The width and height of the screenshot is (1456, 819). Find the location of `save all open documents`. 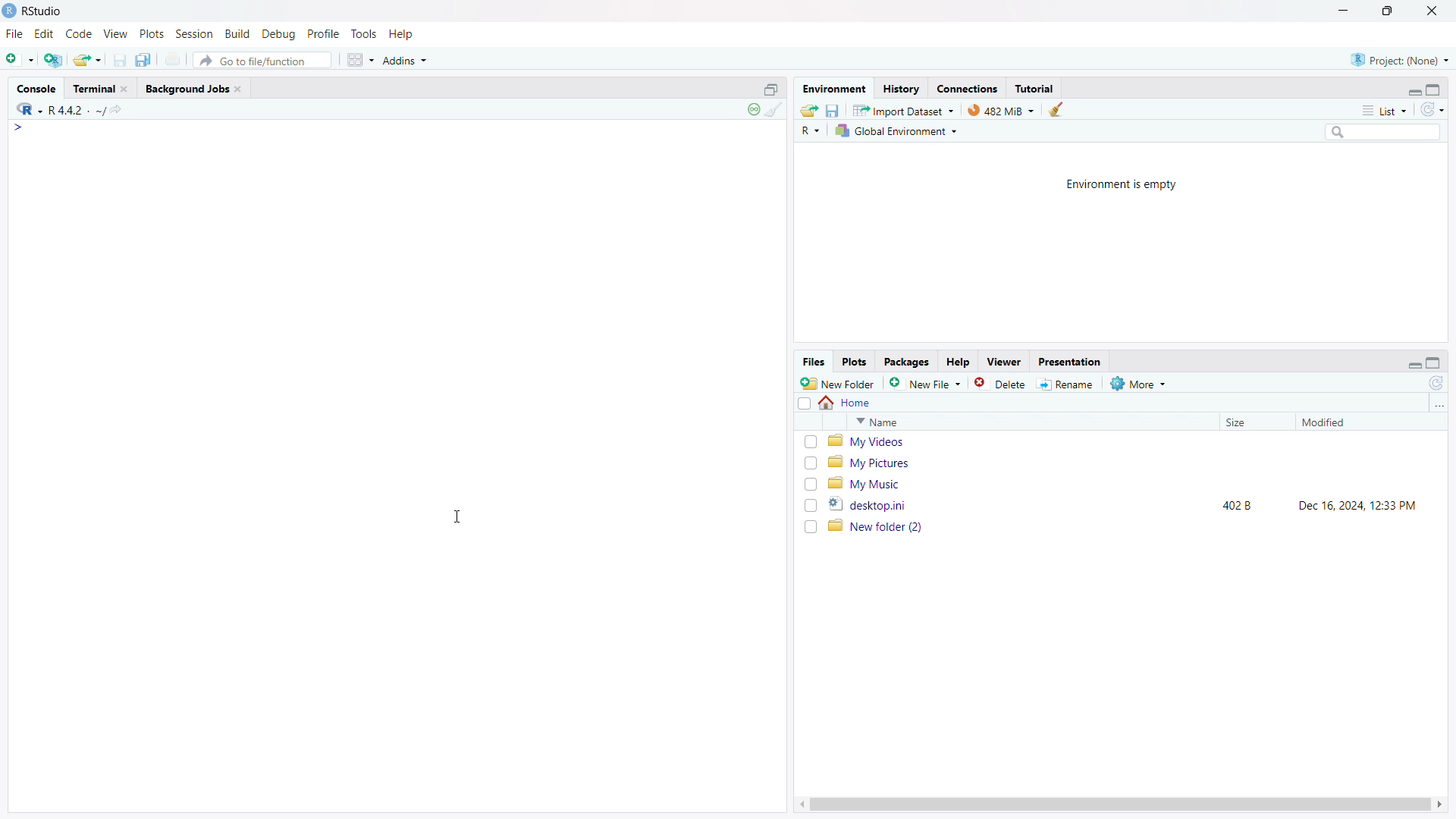

save all open documents is located at coordinates (146, 59).